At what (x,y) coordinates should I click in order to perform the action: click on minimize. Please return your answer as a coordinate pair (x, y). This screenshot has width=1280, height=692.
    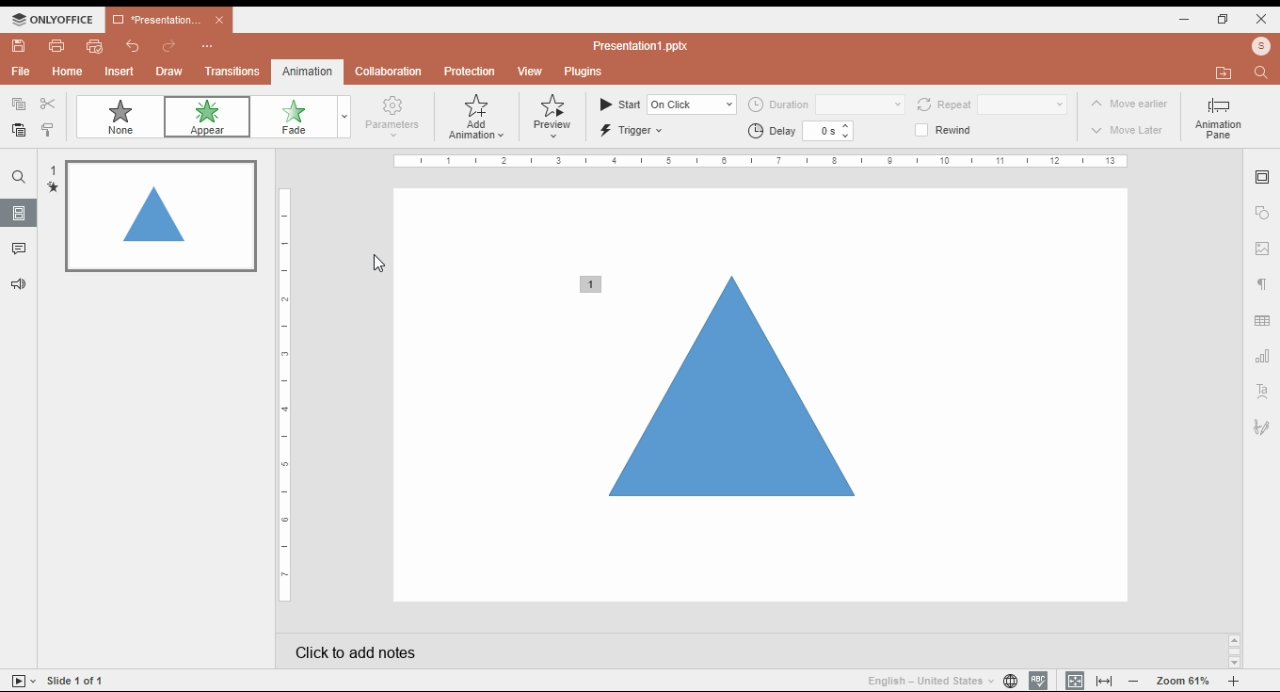
    Looking at the image, I should click on (1185, 20).